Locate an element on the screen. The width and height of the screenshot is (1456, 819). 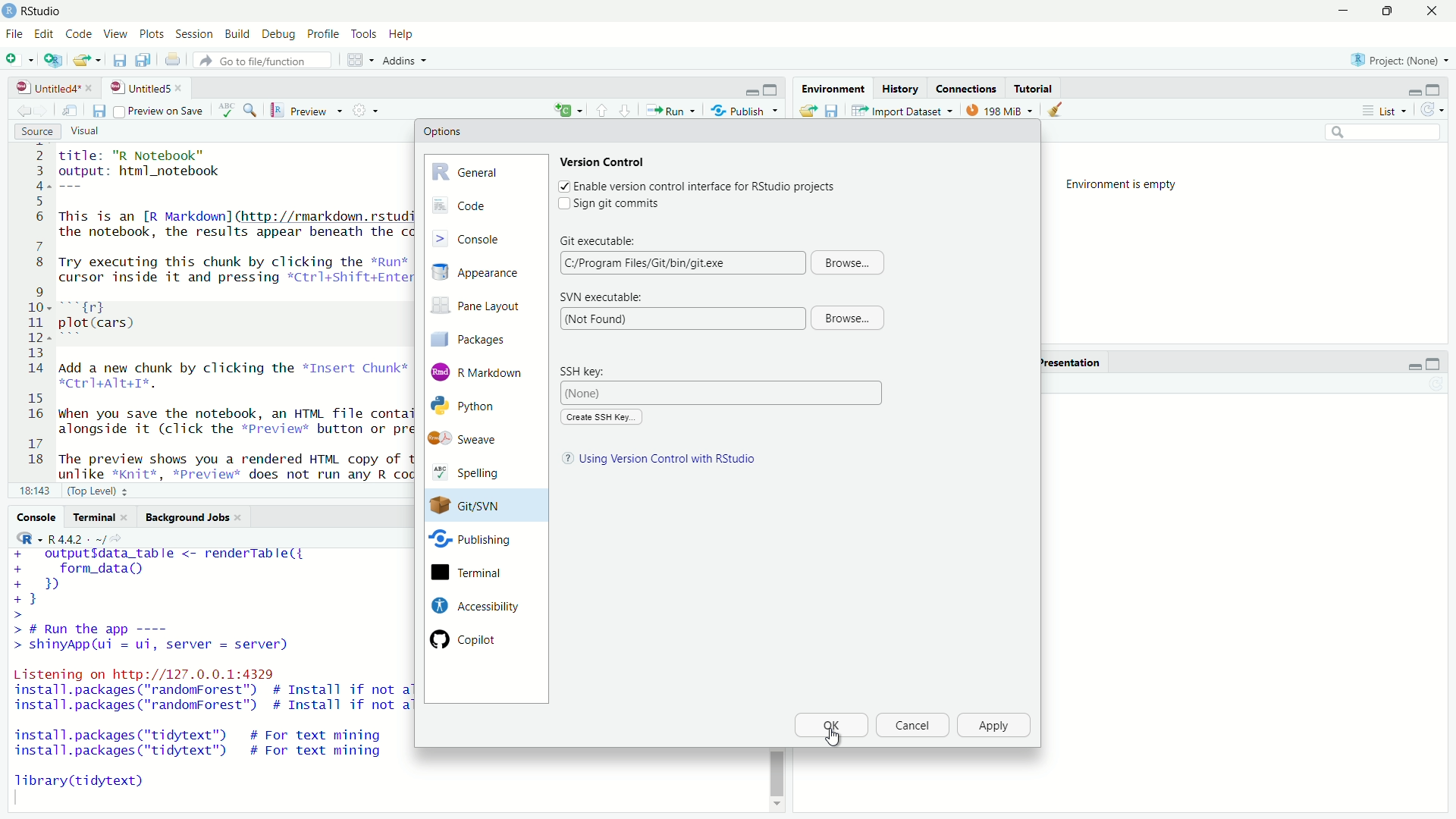
move backward is located at coordinates (44, 110).